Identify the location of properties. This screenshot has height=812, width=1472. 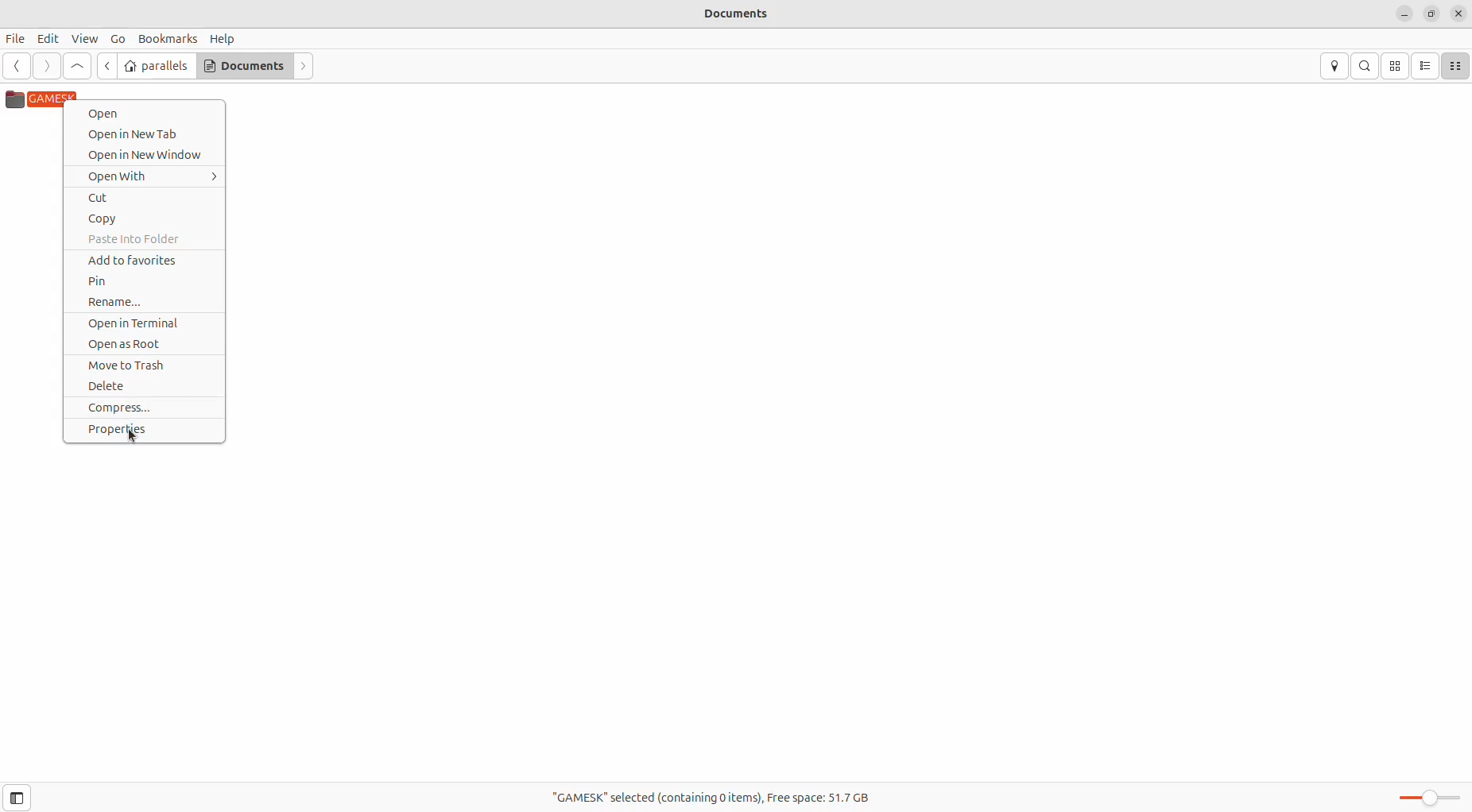
(145, 430).